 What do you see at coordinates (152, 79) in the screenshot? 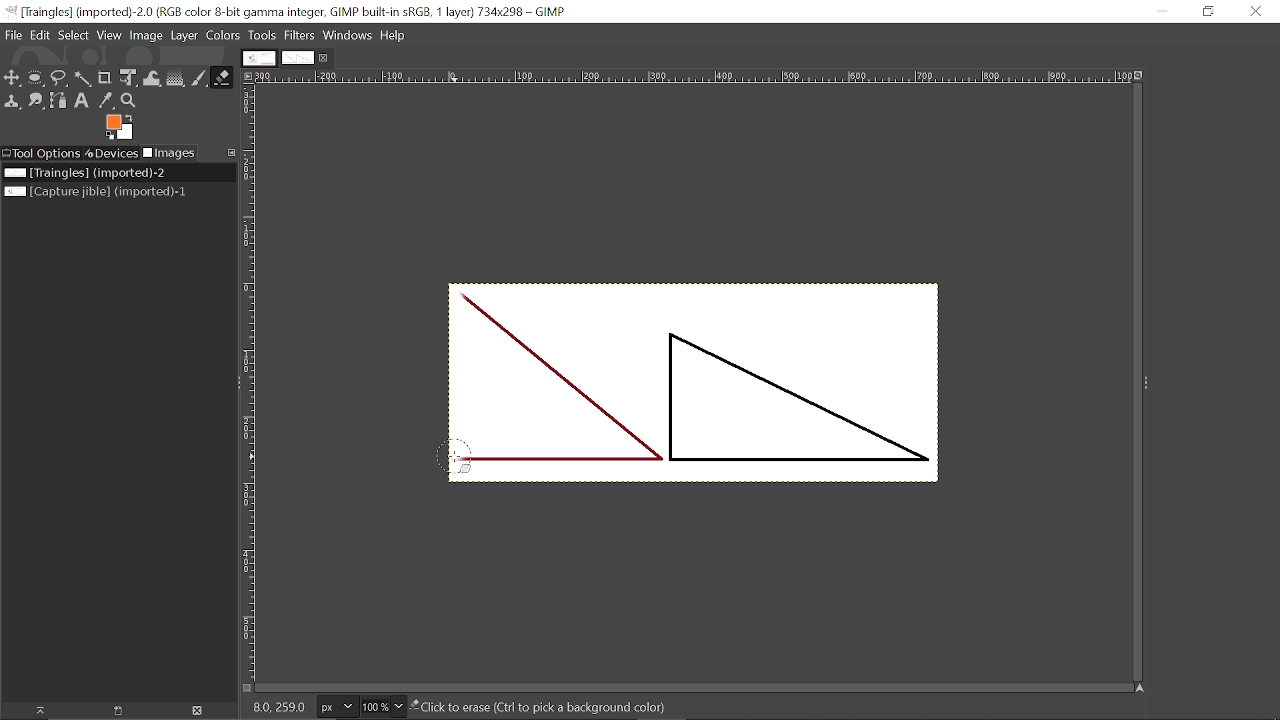
I see `Wrap text tool` at bounding box center [152, 79].